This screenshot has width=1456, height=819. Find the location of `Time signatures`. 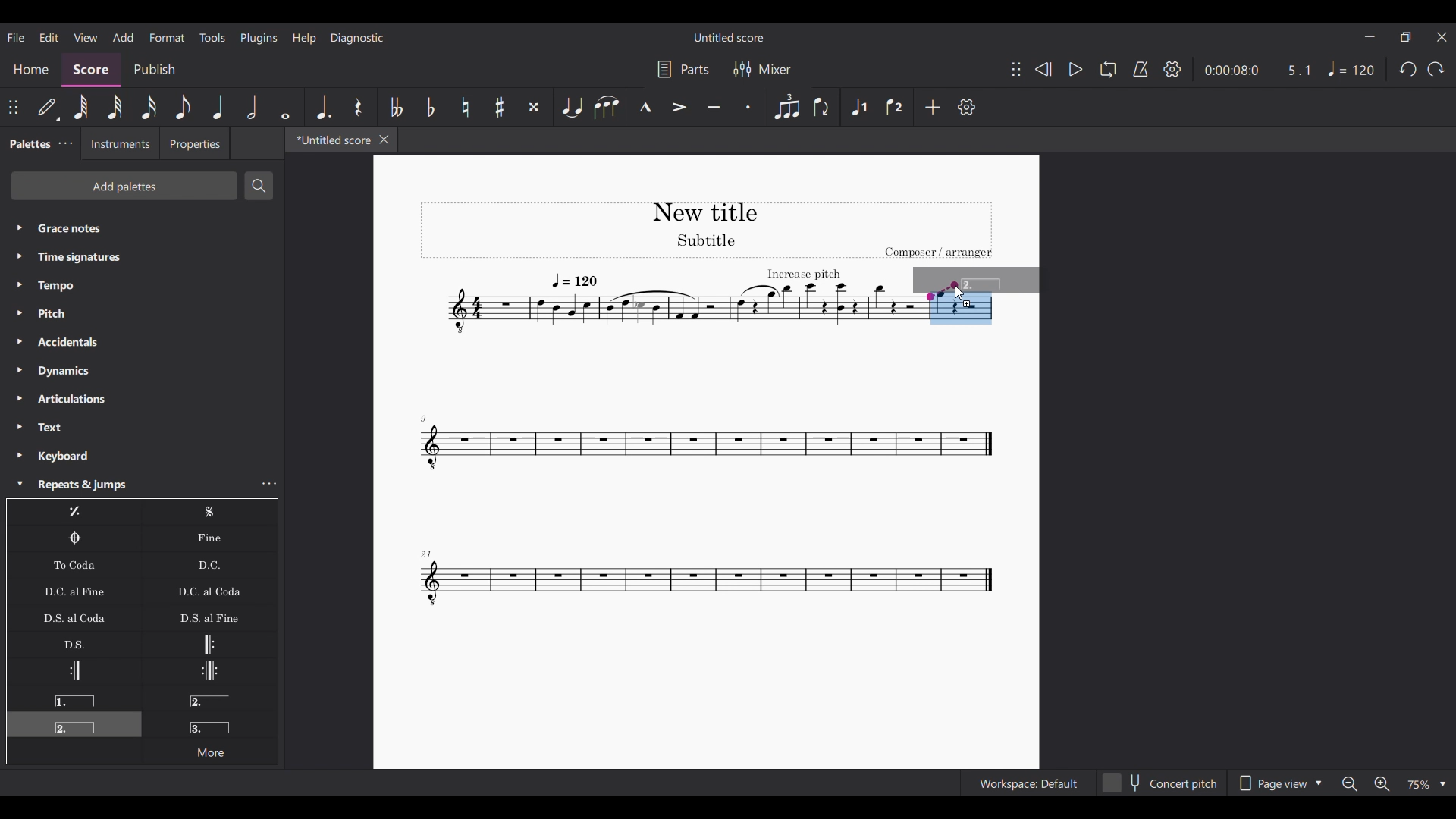

Time signatures is located at coordinates (142, 258).